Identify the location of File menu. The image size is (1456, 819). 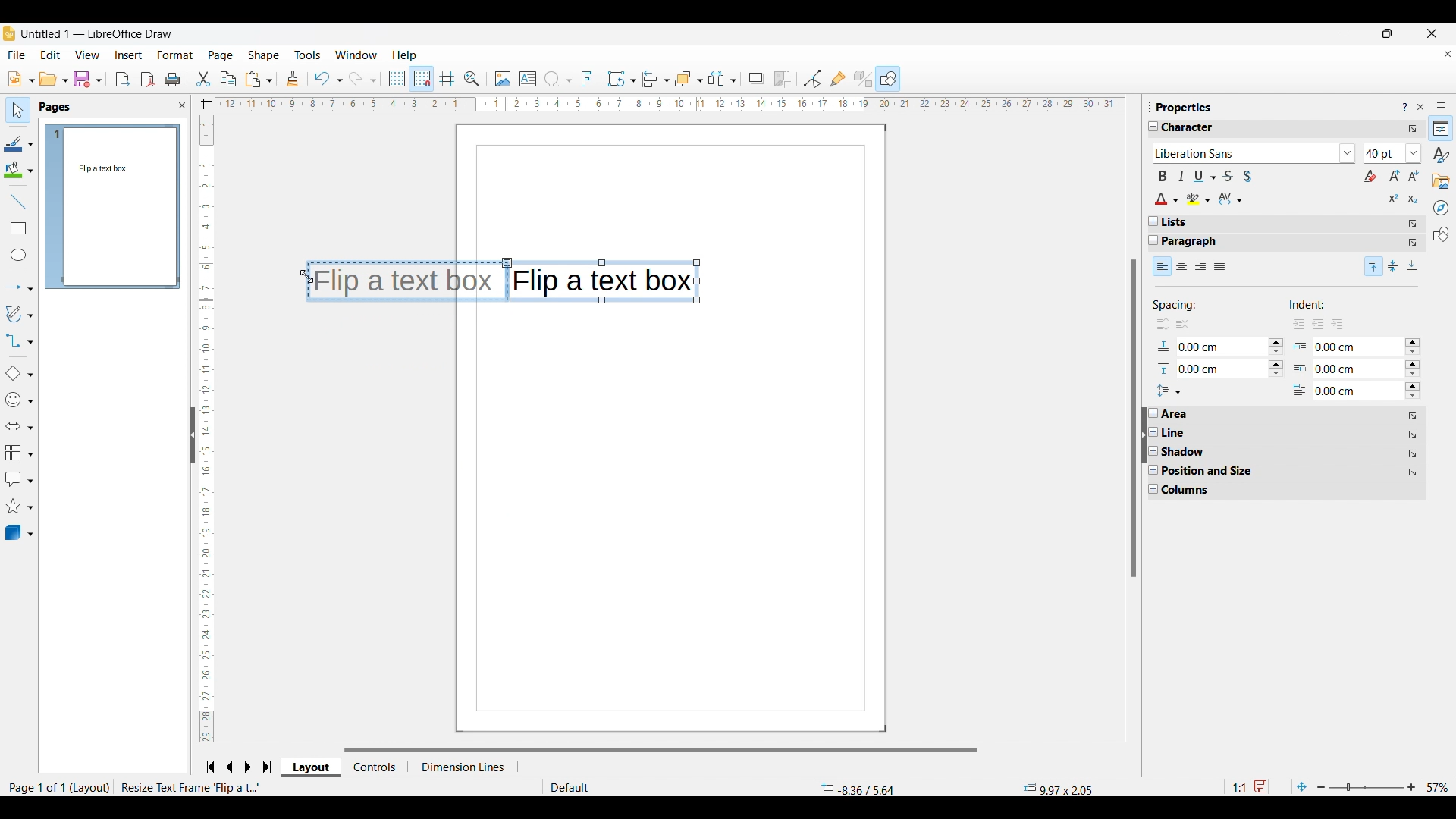
(16, 55).